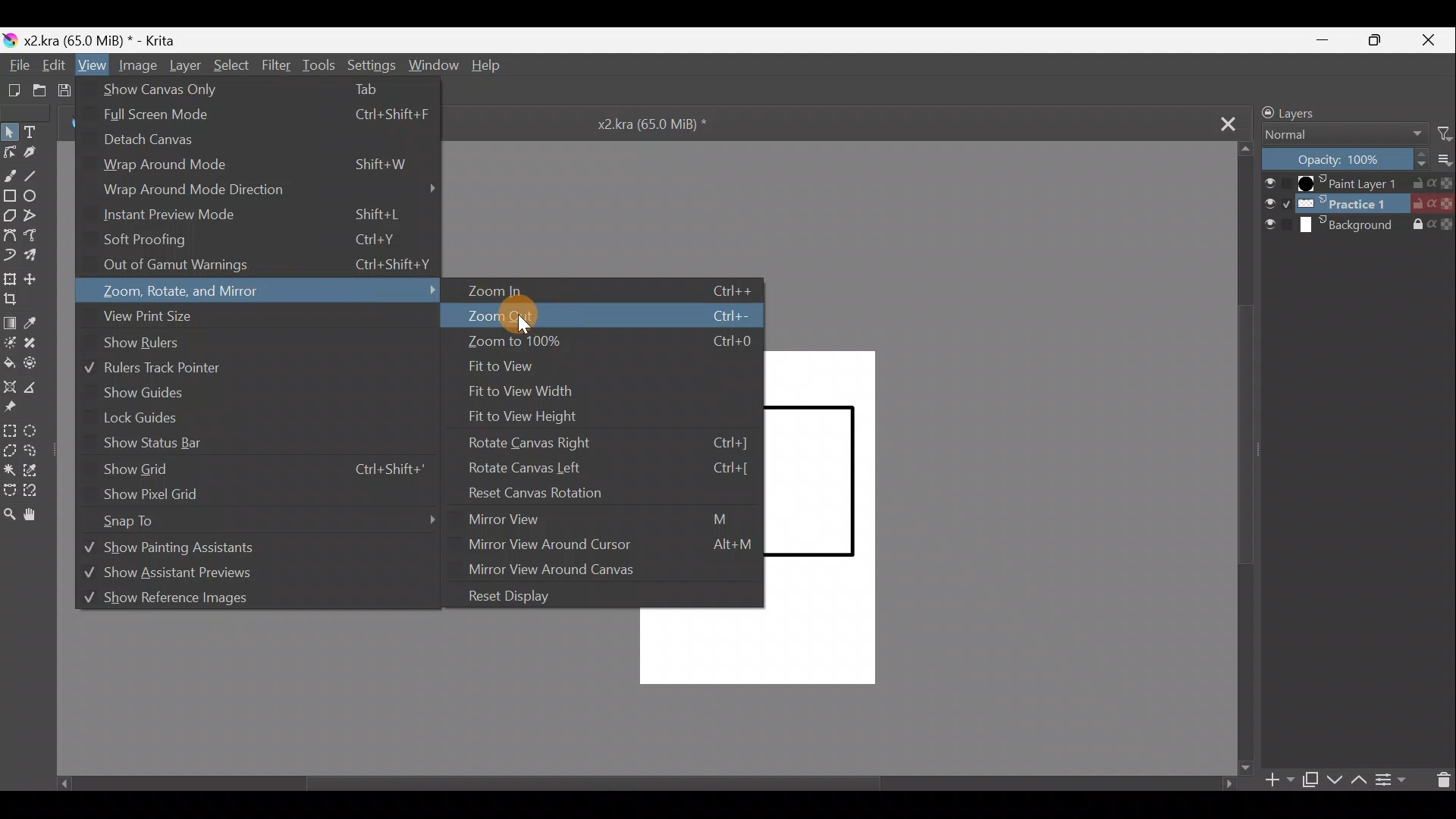  I want to click on Polygonal selection tool, so click(13, 450).